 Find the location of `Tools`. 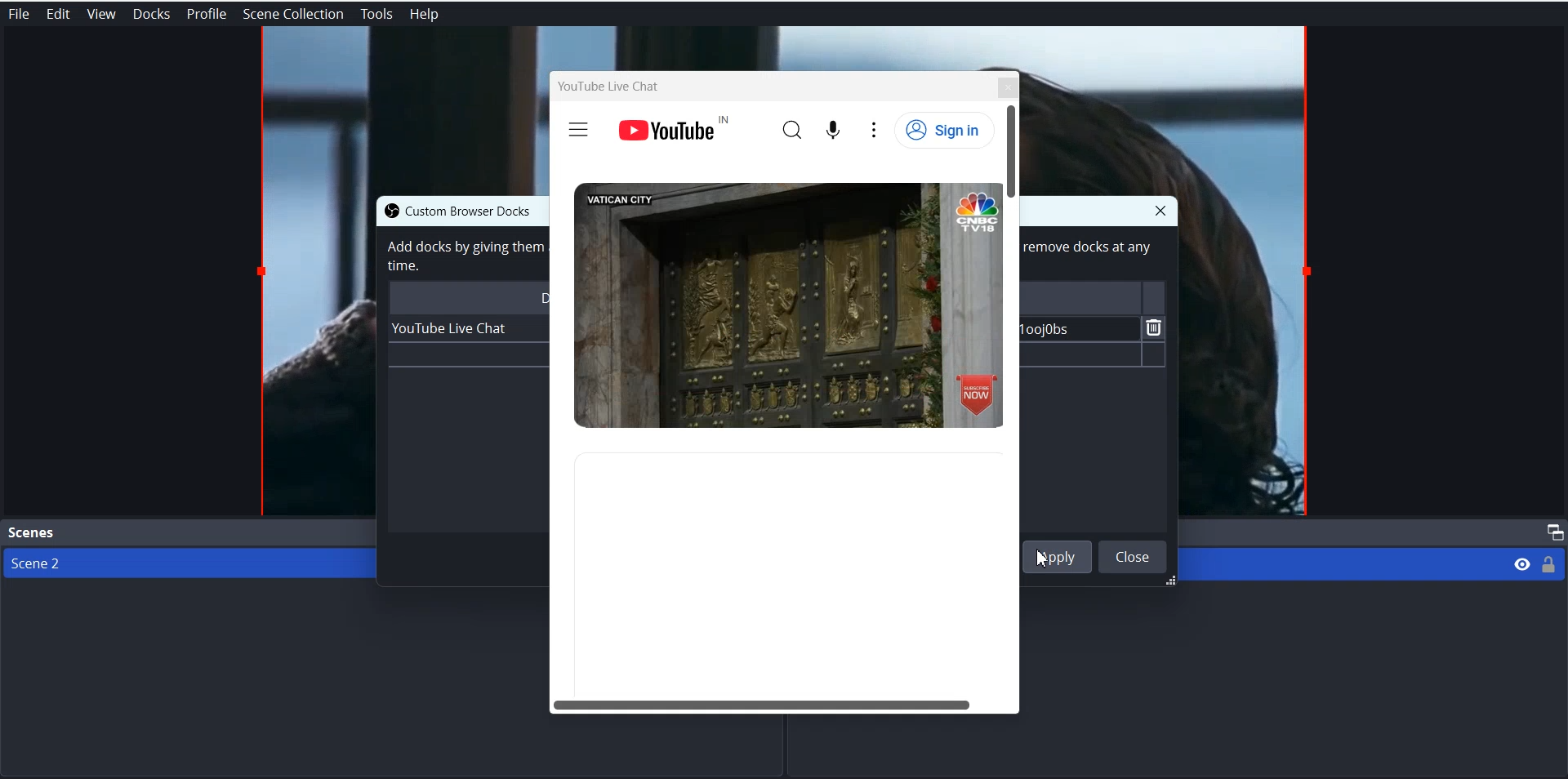

Tools is located at coordinates (376, 15).